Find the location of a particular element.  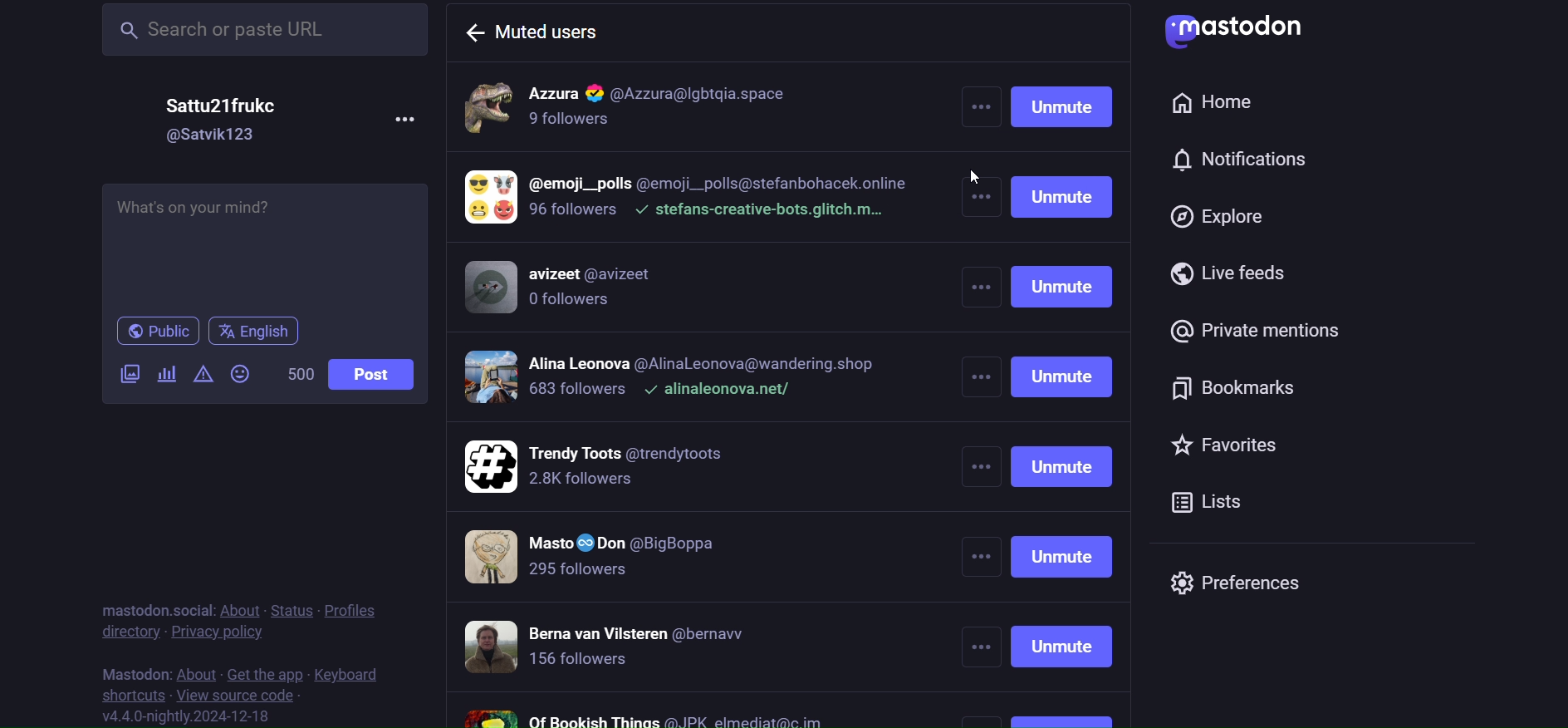

muted accounts 7 is located at coordinates (615, 645).